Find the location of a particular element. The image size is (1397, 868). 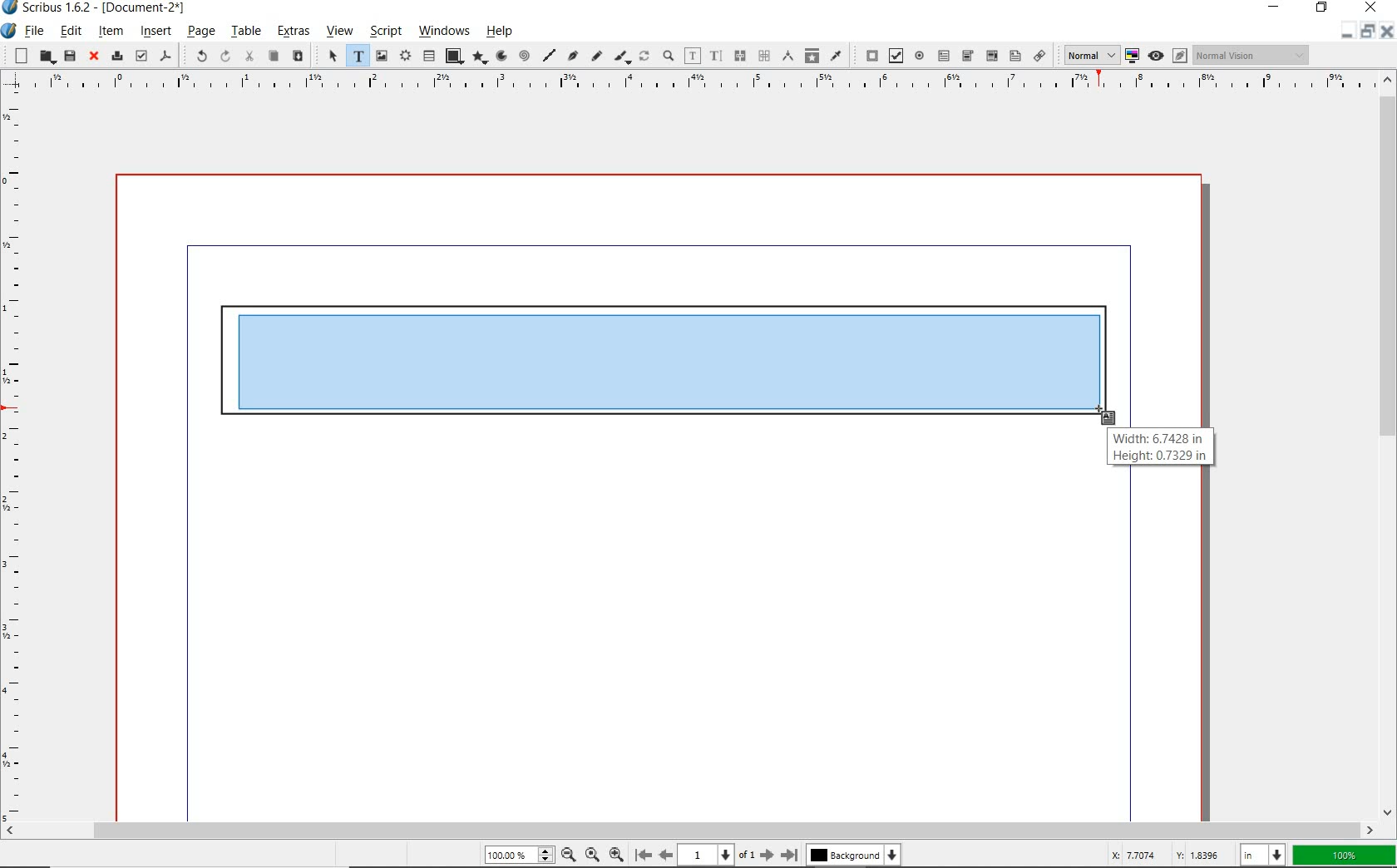

windows is located at coordinates (445, 32).